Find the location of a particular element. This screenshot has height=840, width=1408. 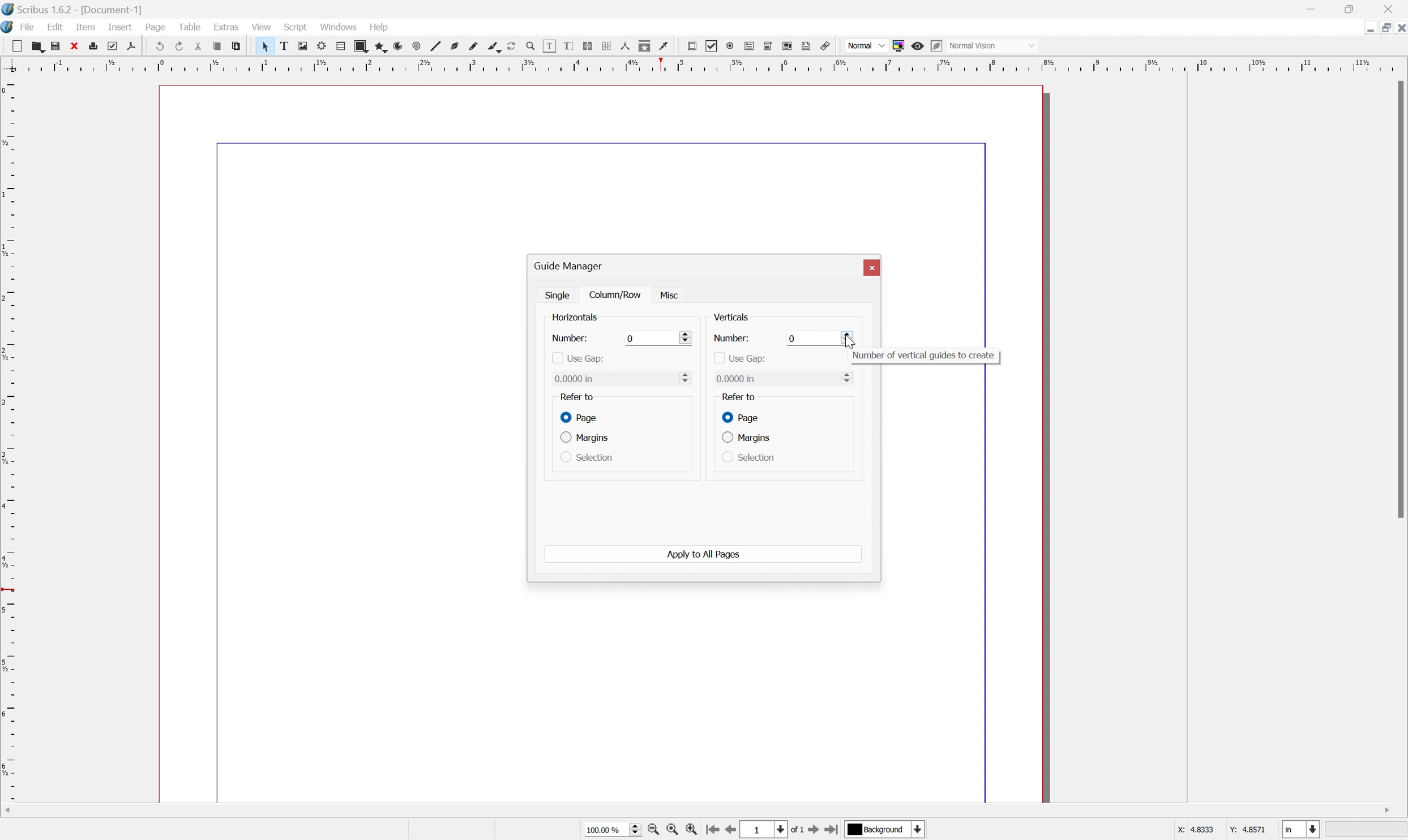

zoom out is located at coordinates (671, 830).